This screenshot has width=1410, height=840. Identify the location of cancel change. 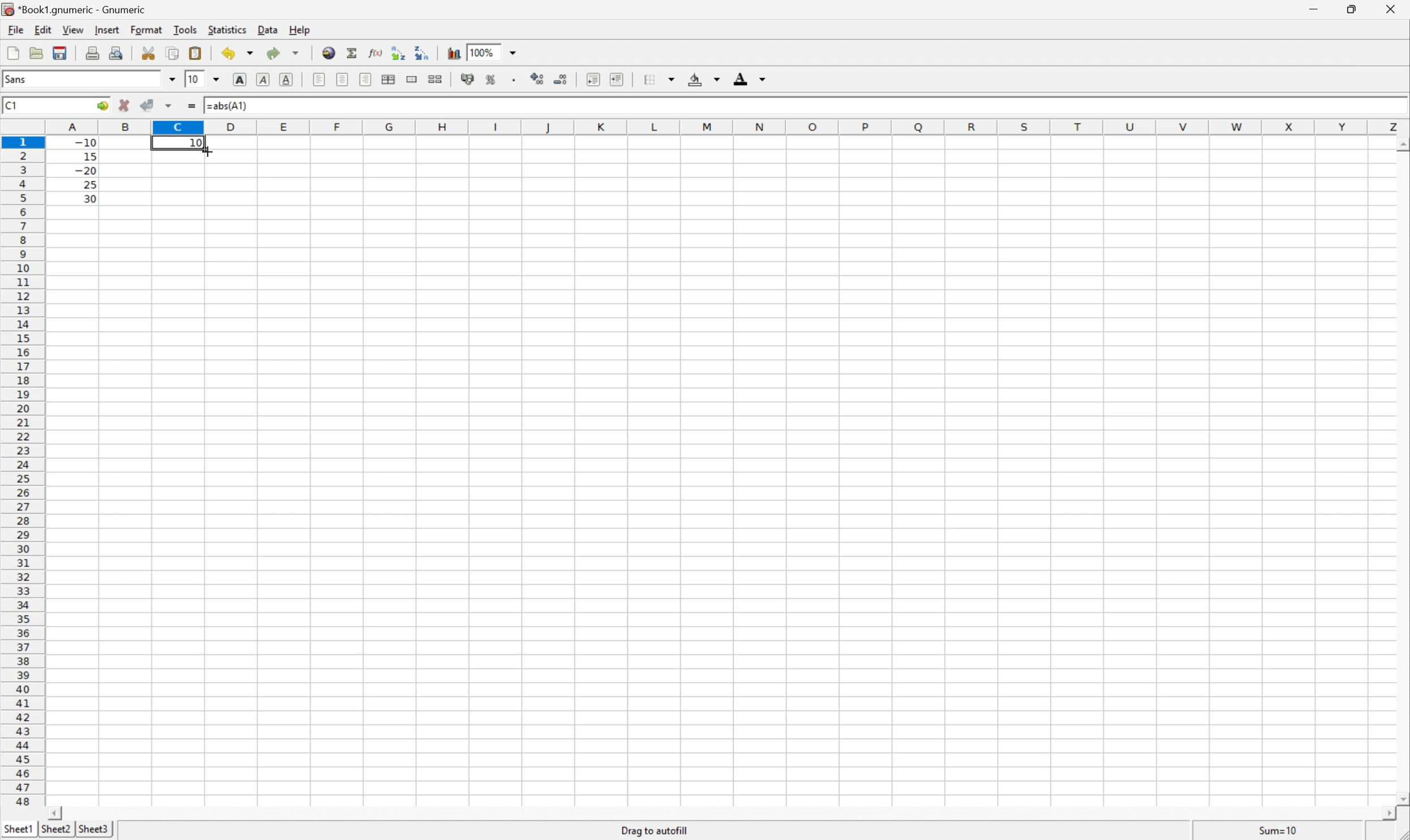
(125, 108).